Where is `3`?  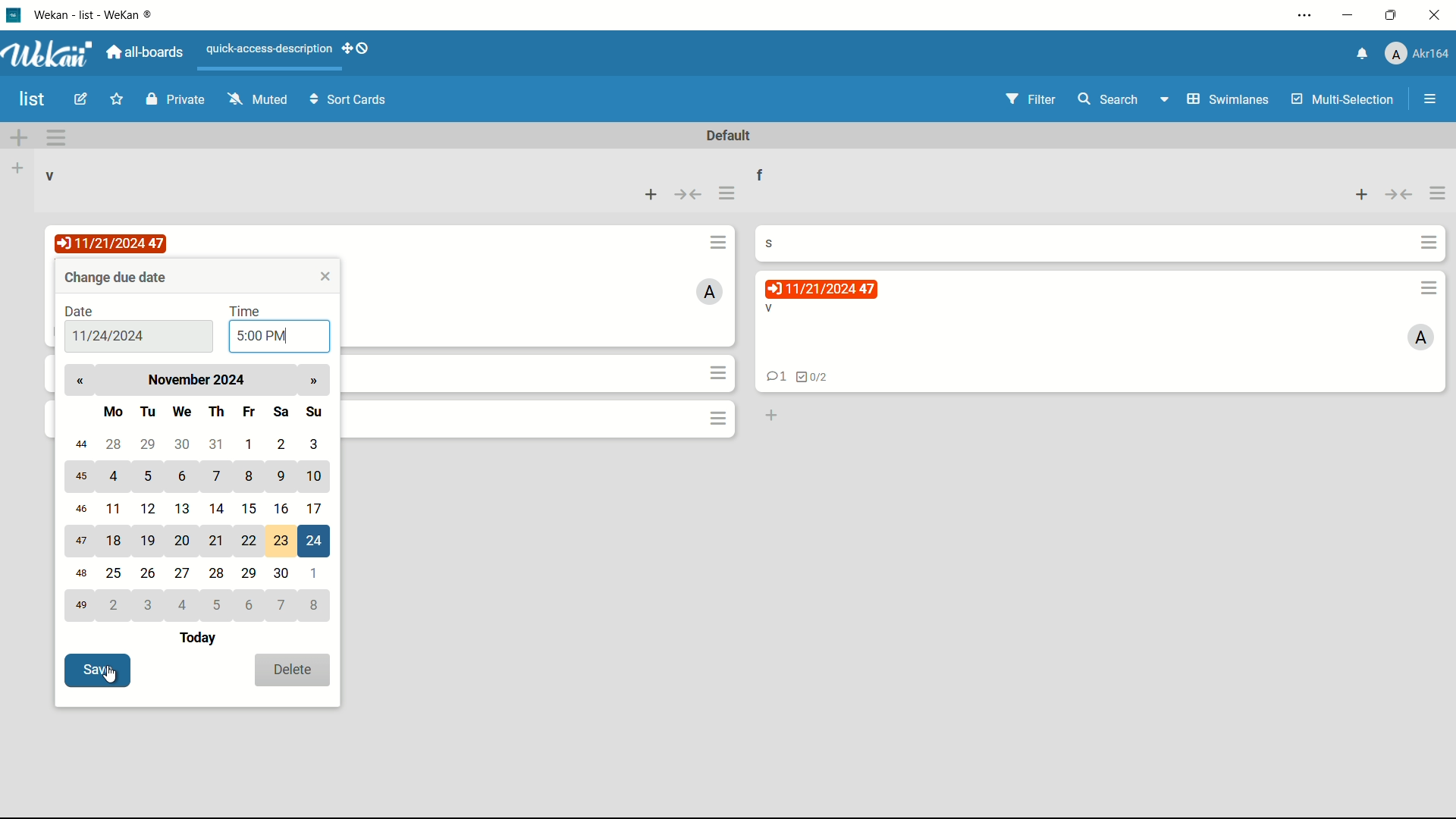
3 is located at coordinates (315, 444).